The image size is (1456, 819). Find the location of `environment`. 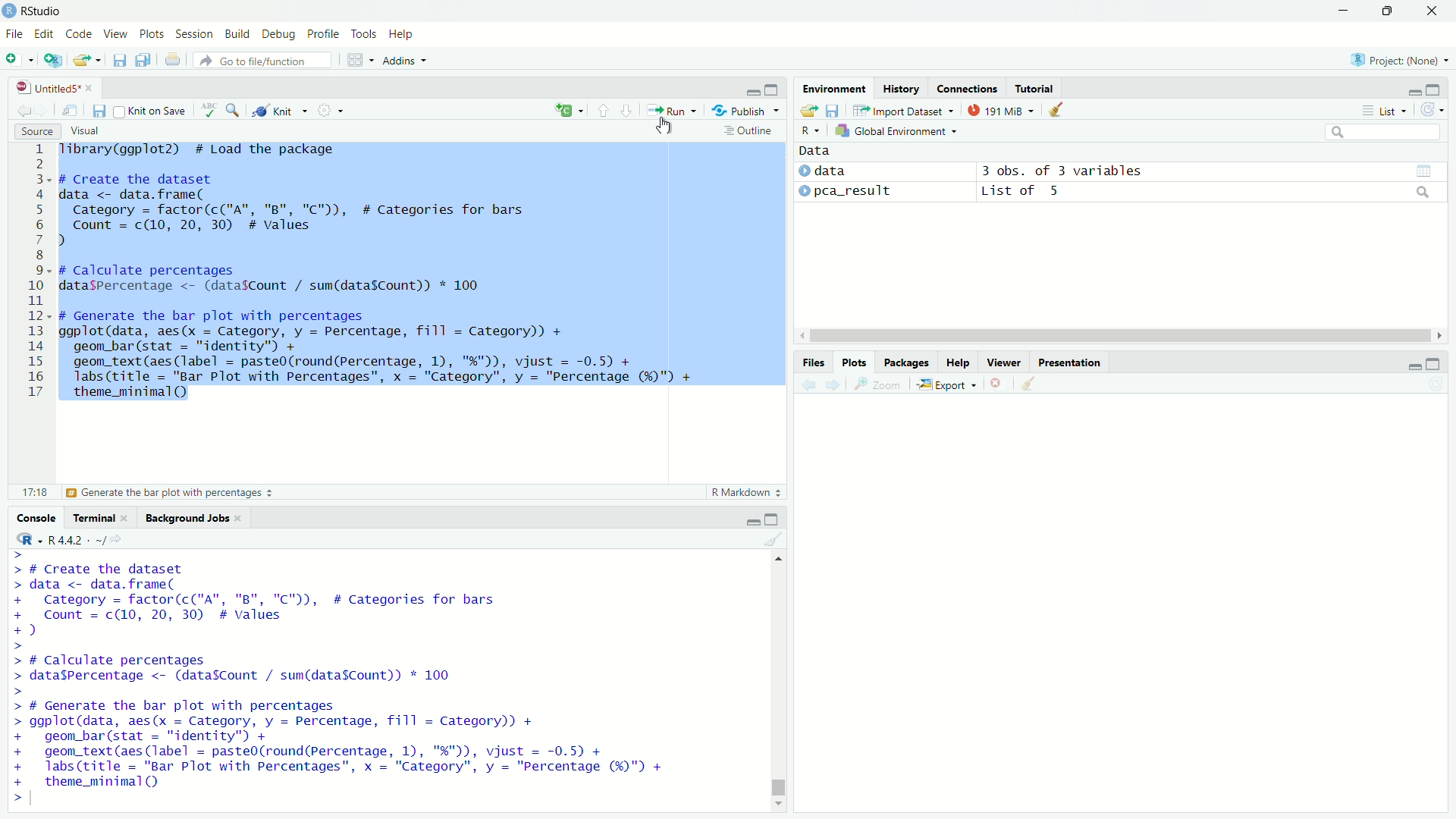

environment is located at coordinates (835, 88).